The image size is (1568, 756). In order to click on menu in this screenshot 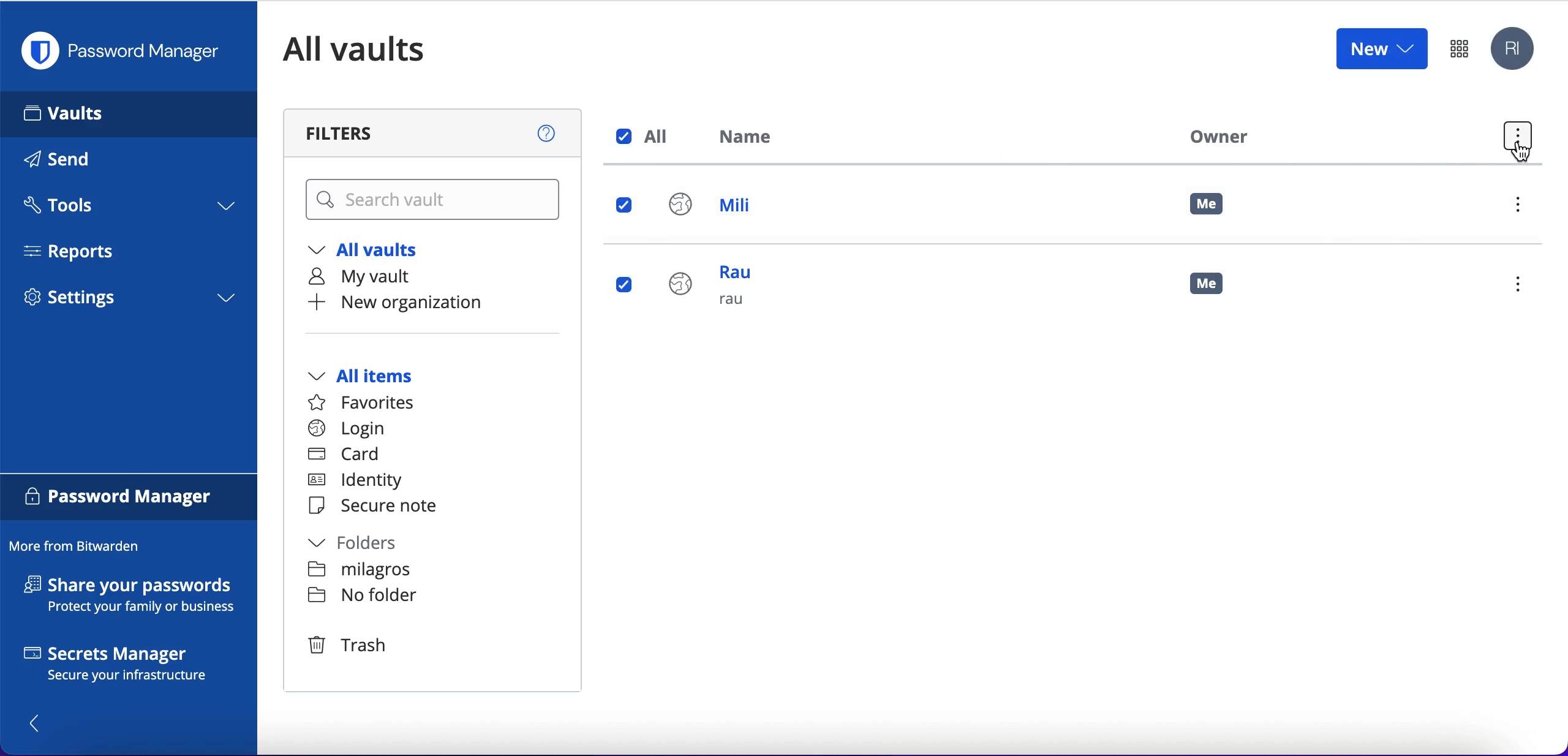, I will do `click(1516, 139)`.